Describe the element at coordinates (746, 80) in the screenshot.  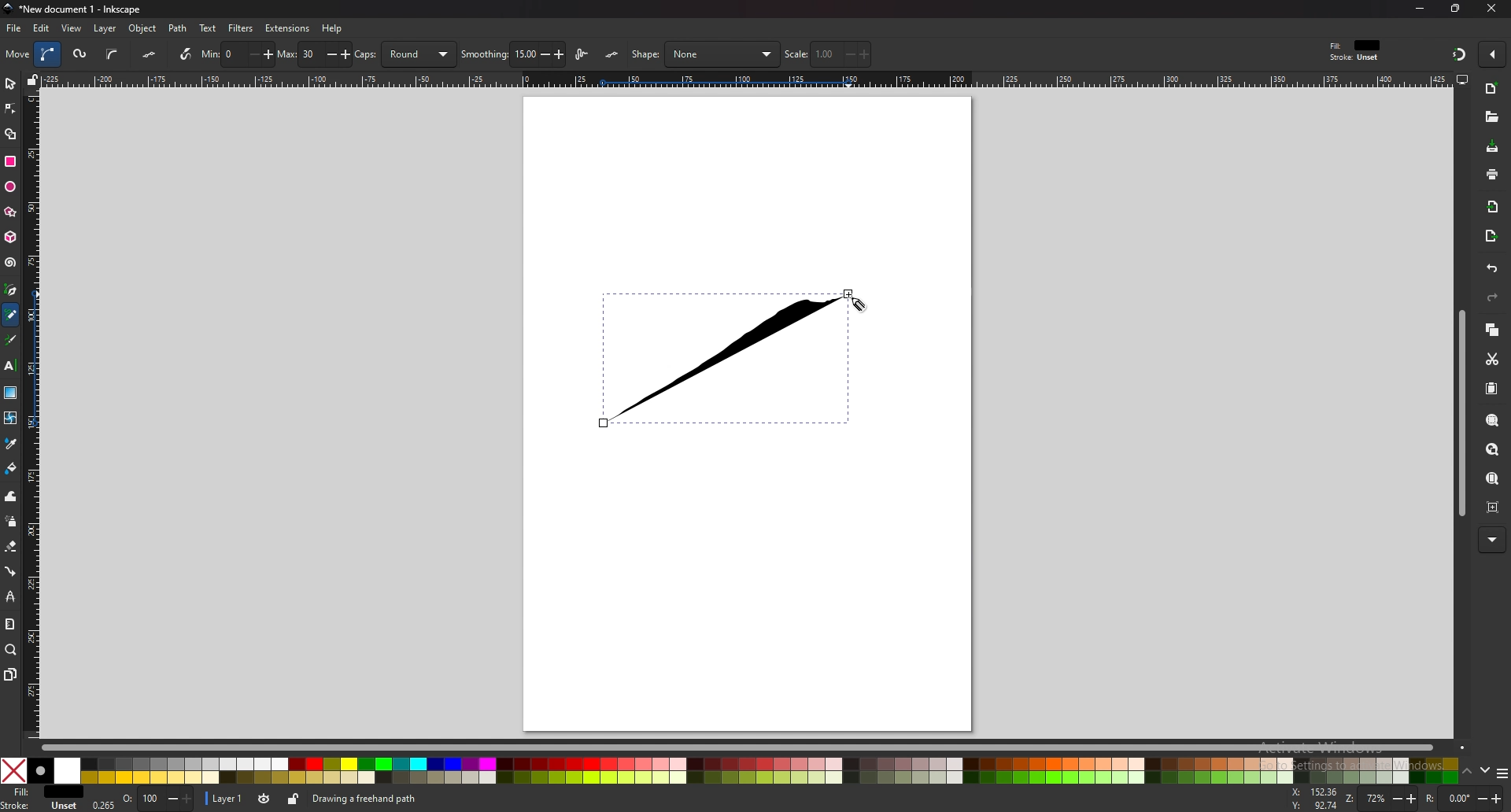
I see `horizontal scale` at that location.